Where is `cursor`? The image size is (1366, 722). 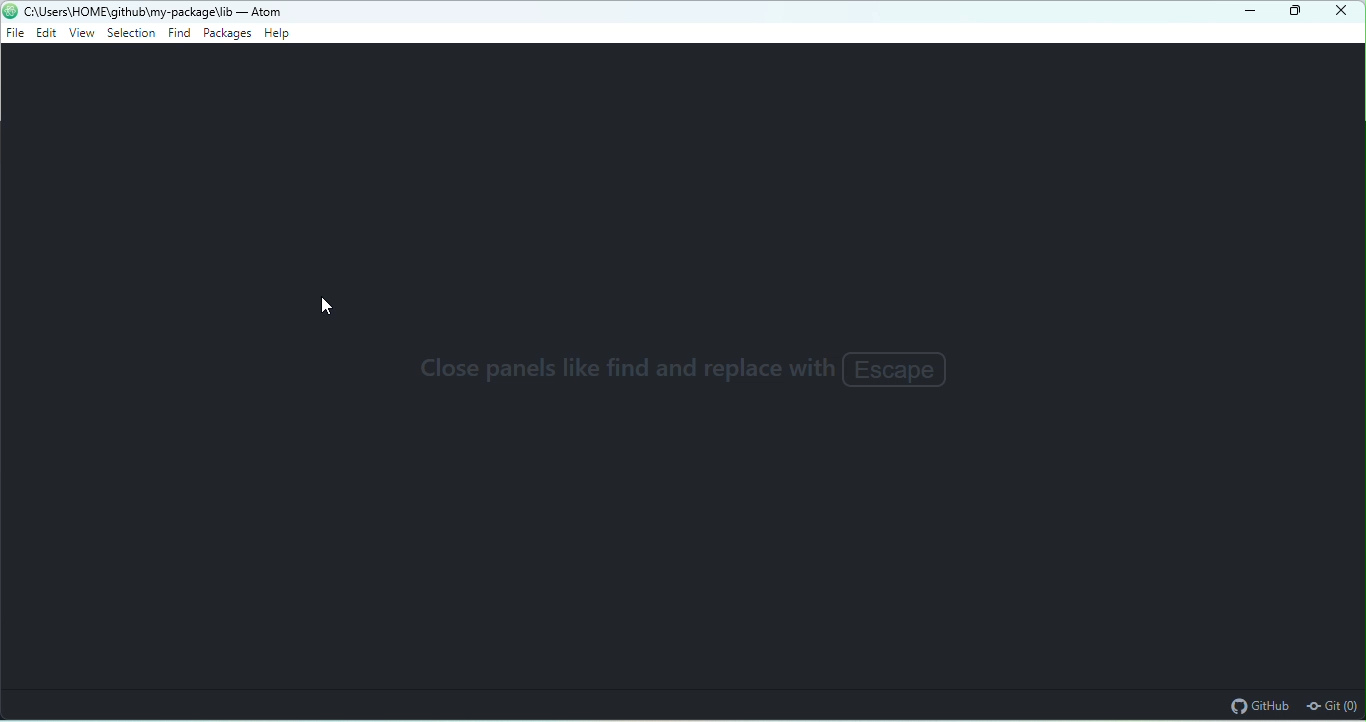
cursor is located at coordinates (325, 305).